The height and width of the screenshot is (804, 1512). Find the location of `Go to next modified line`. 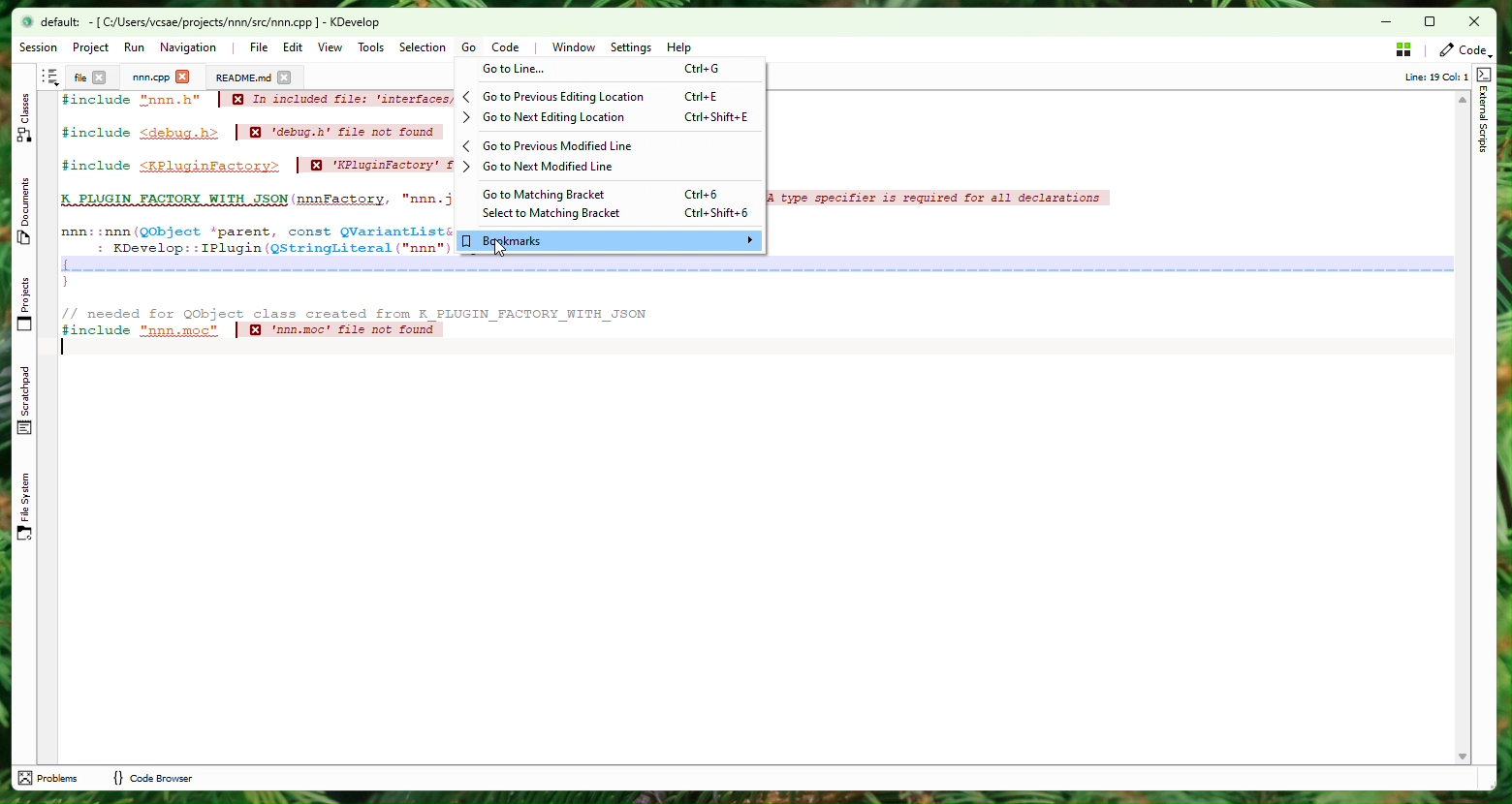

Go to next modified line is located at coordinates (609, 169).